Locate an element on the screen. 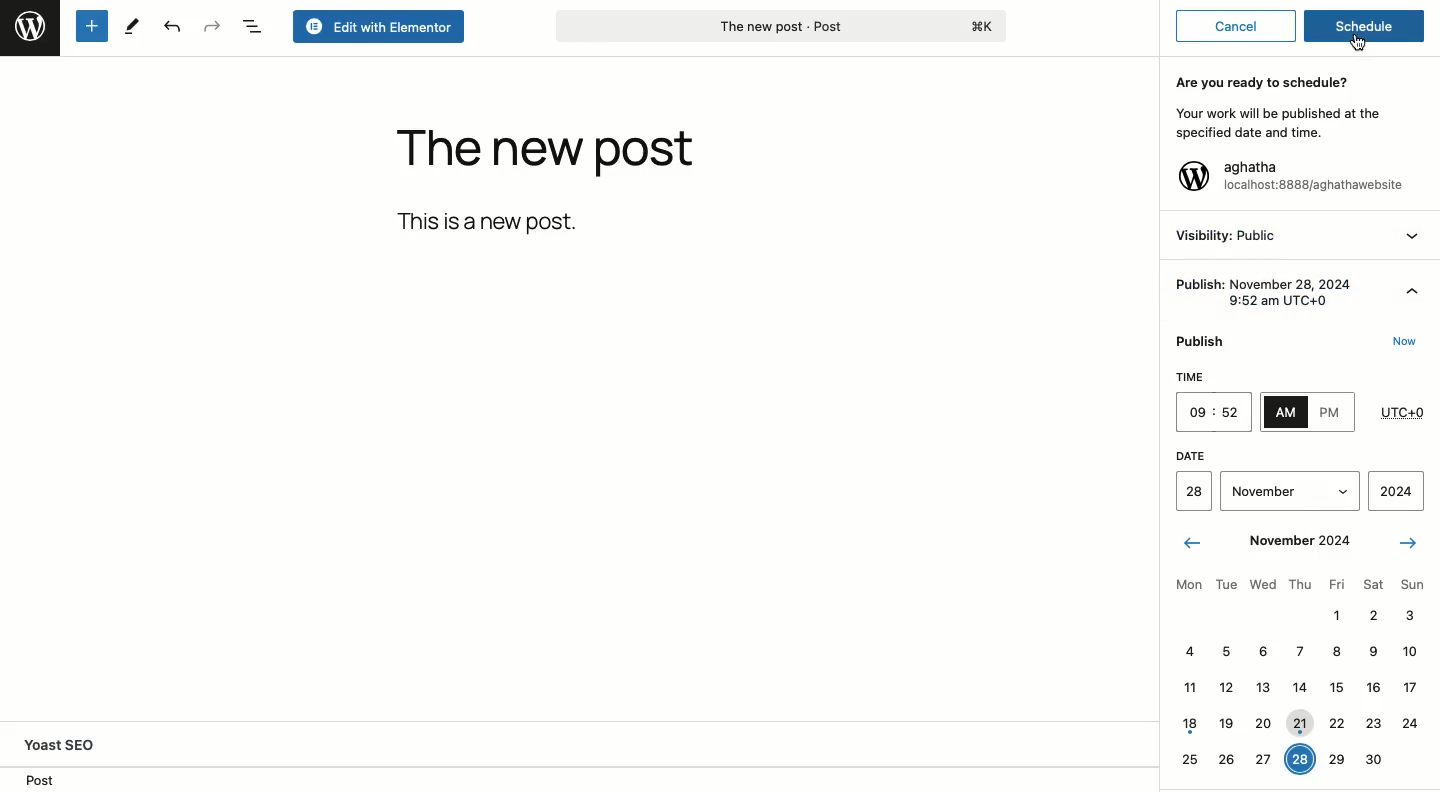  7 is located at coordinates (1297, 649).